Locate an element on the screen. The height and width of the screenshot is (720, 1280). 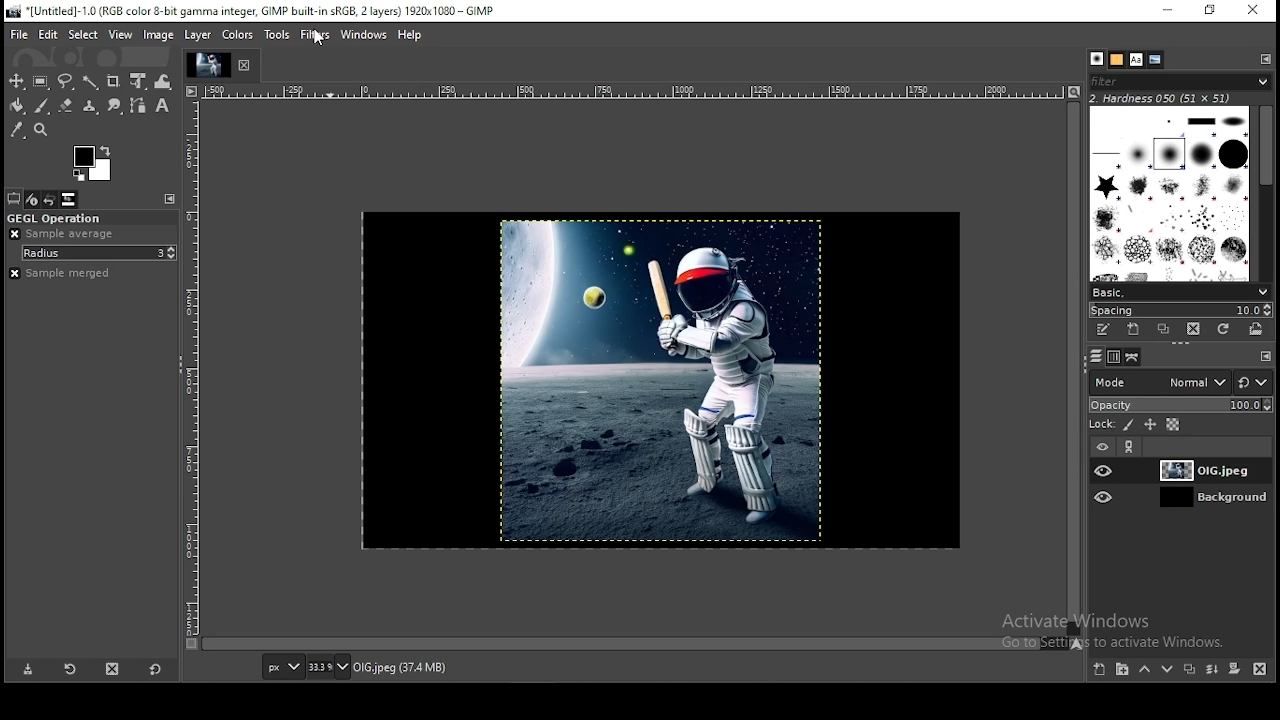
restore tool preset is located at coordinates (74, 672).